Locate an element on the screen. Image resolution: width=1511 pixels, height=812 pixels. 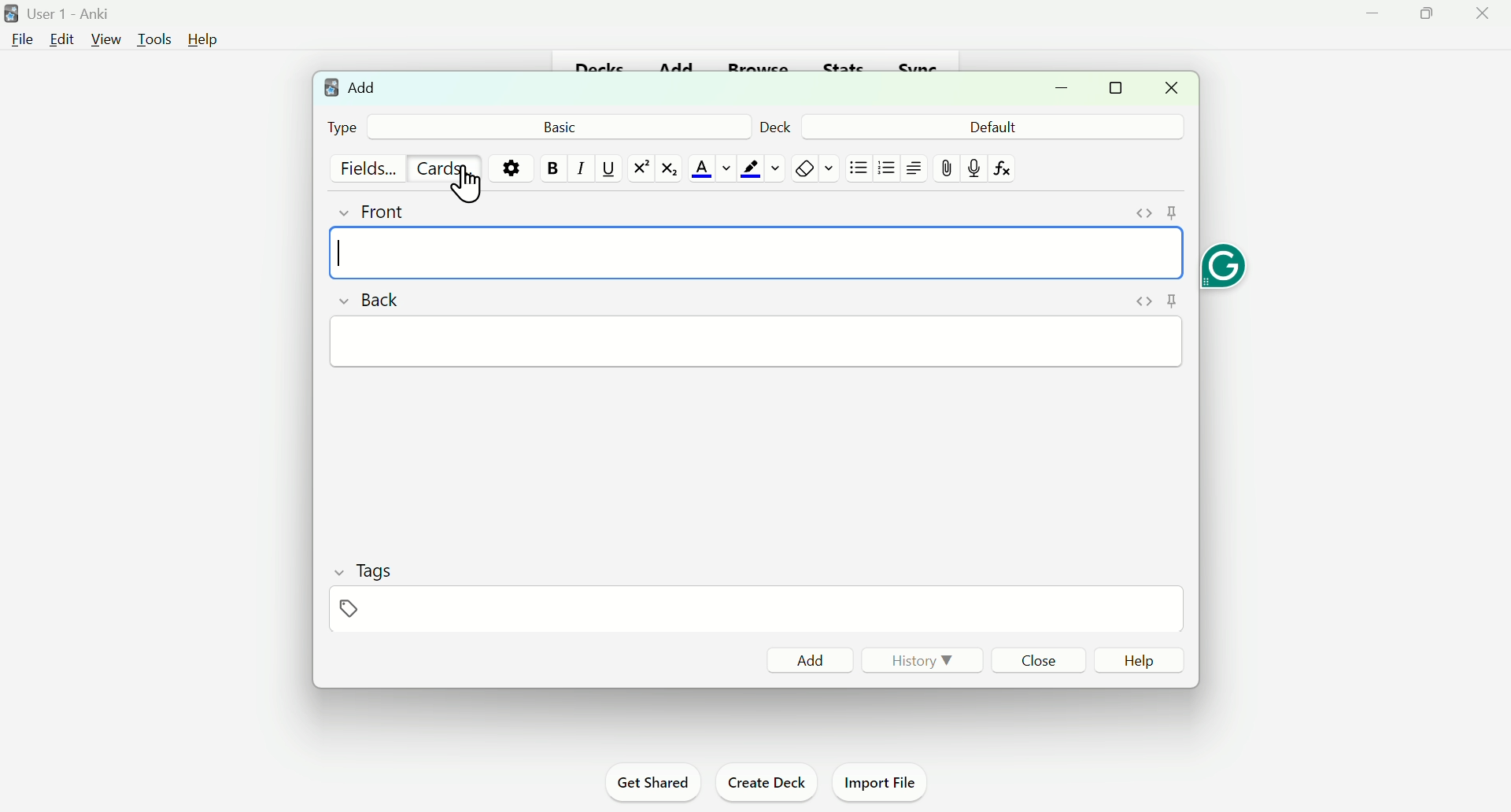
logo is located at coordinates (332, 88).